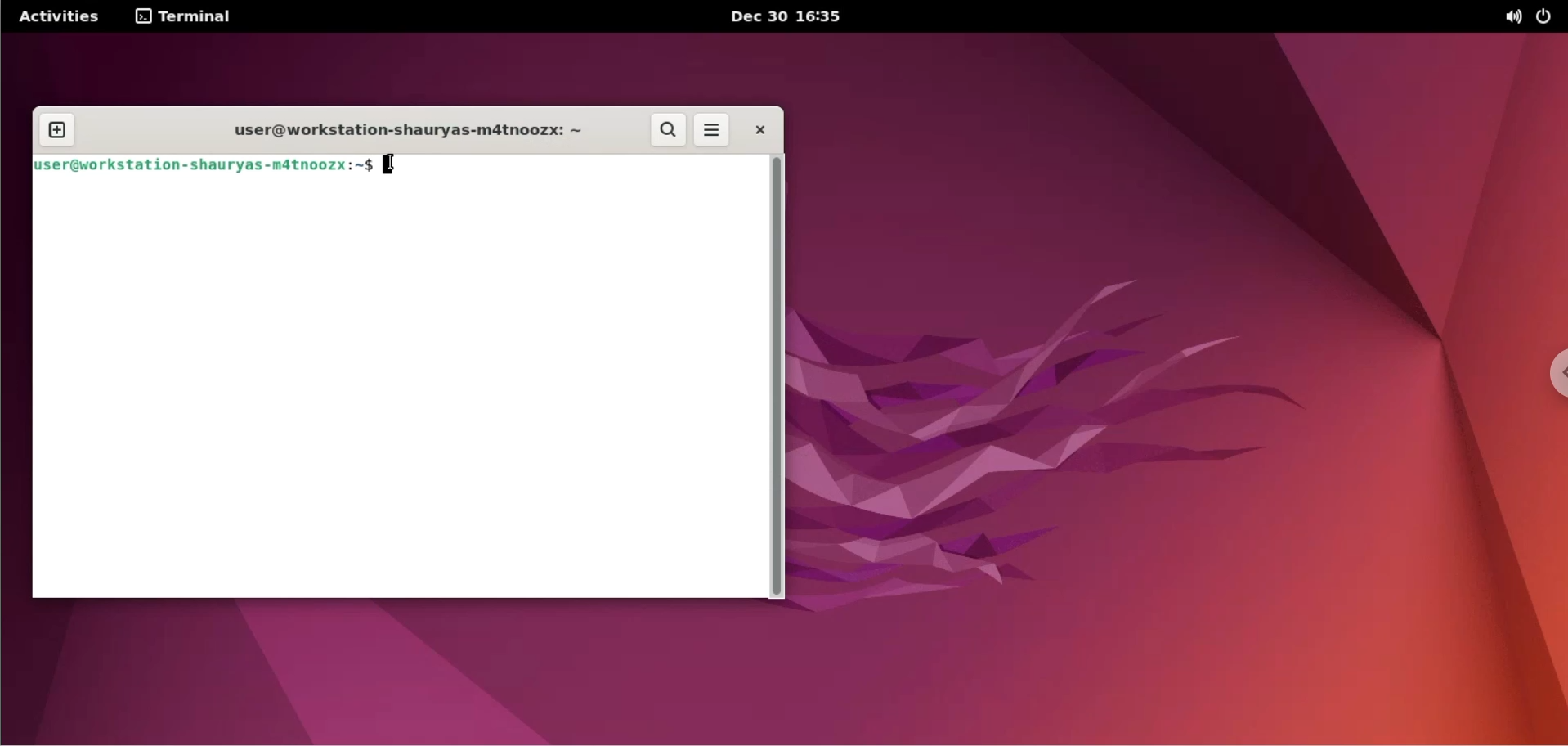  What do you see at coordinates (199, 170) in the screenshot?
I see `user@workstation-shauryas-m4tnoozx:~$` at bounding box center [199, 170].